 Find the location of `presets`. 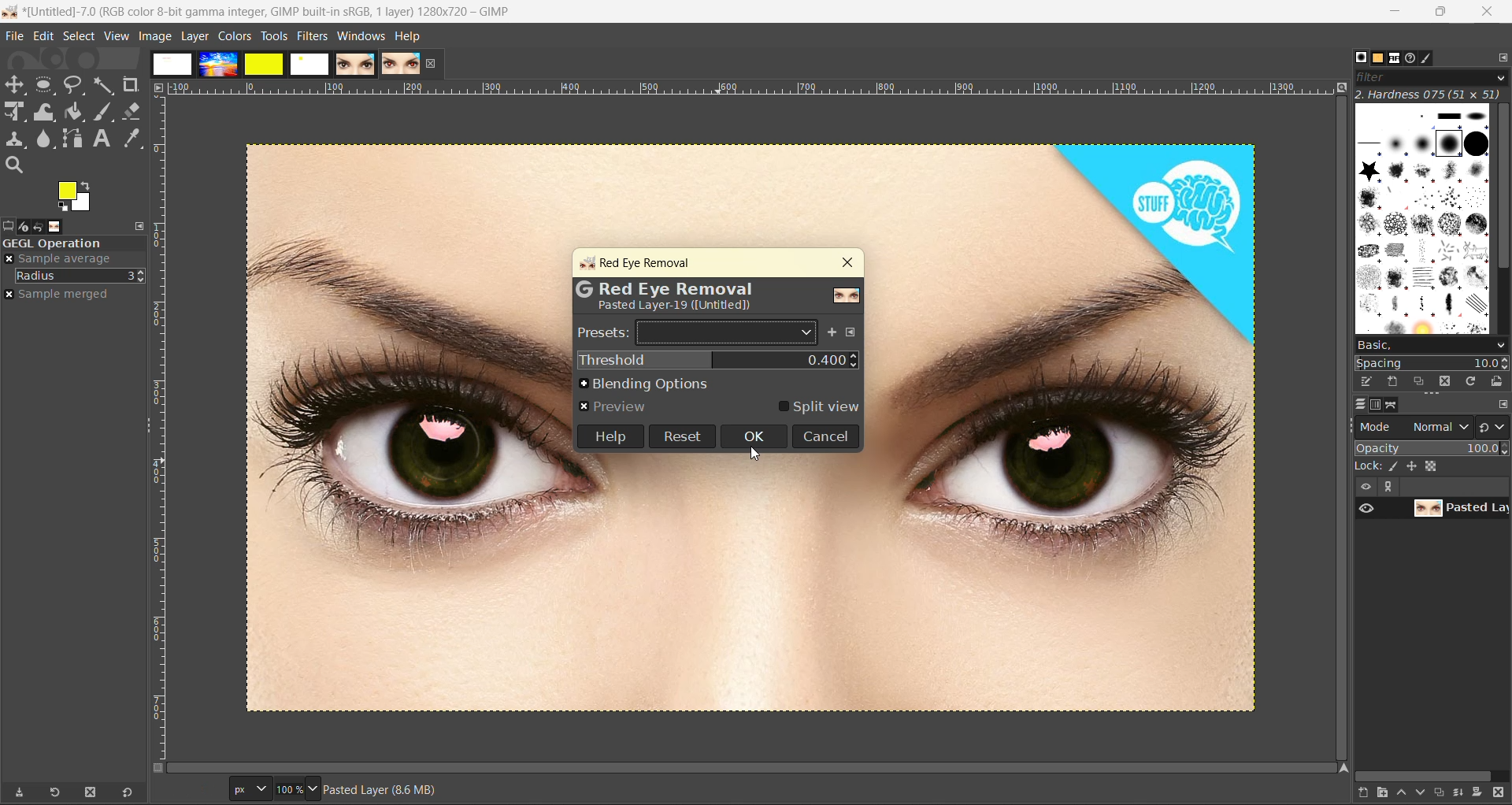

presets is located at coordinates (695, 332).